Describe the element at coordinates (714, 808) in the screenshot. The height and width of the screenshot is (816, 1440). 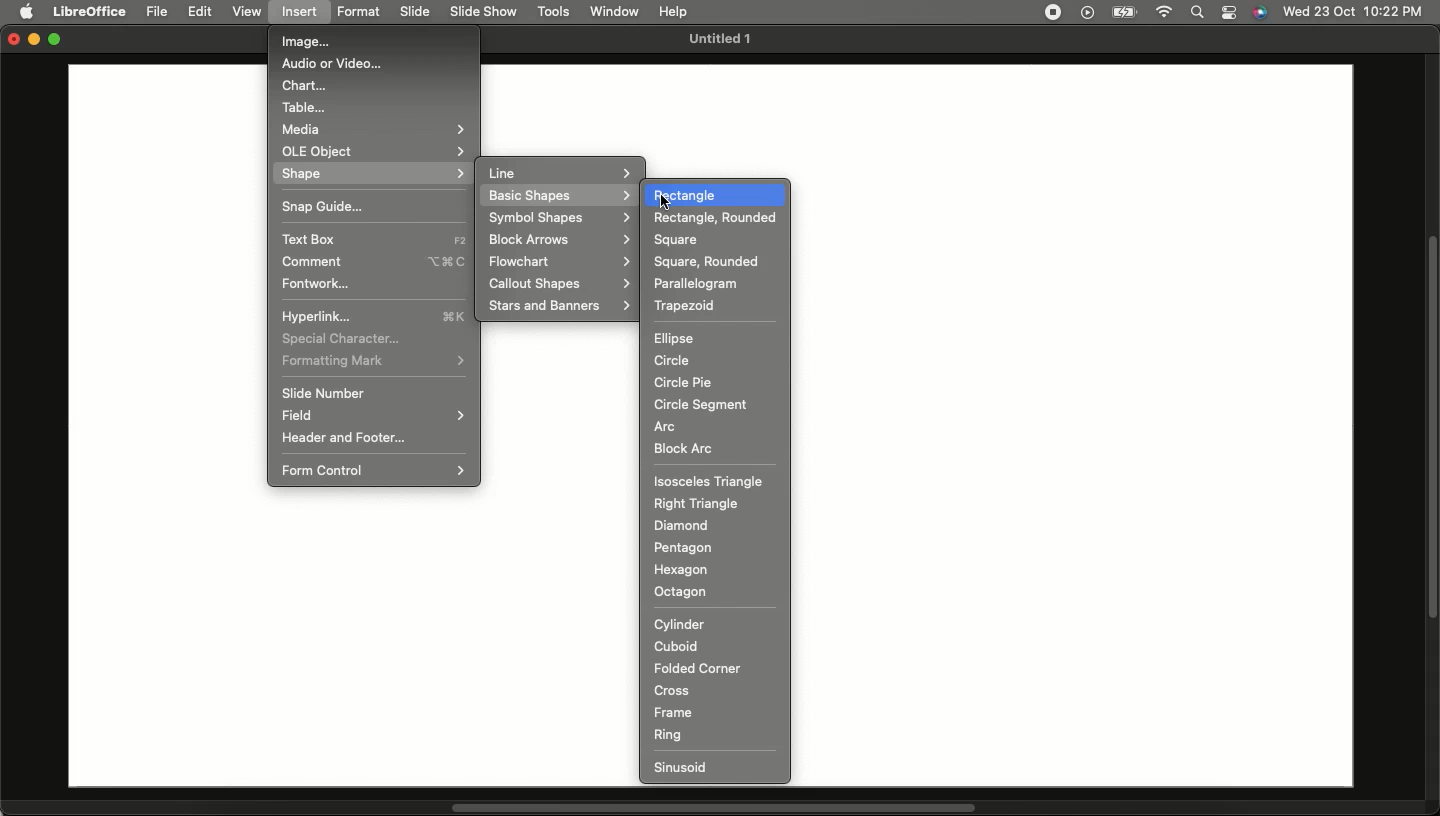
I see `Scroll` at that location.